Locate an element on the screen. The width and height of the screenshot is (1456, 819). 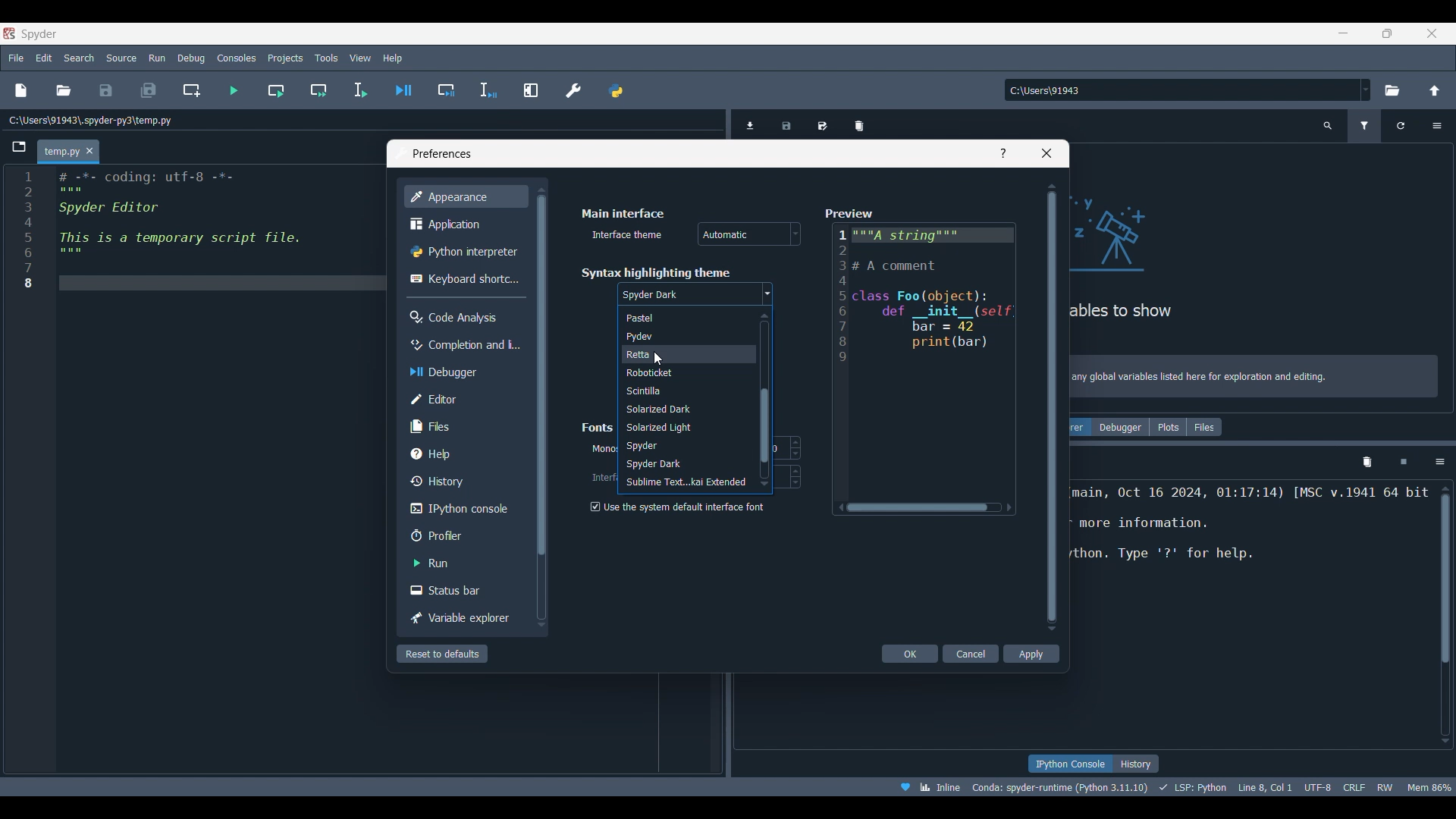
History is located at coordinates (1136, 764).